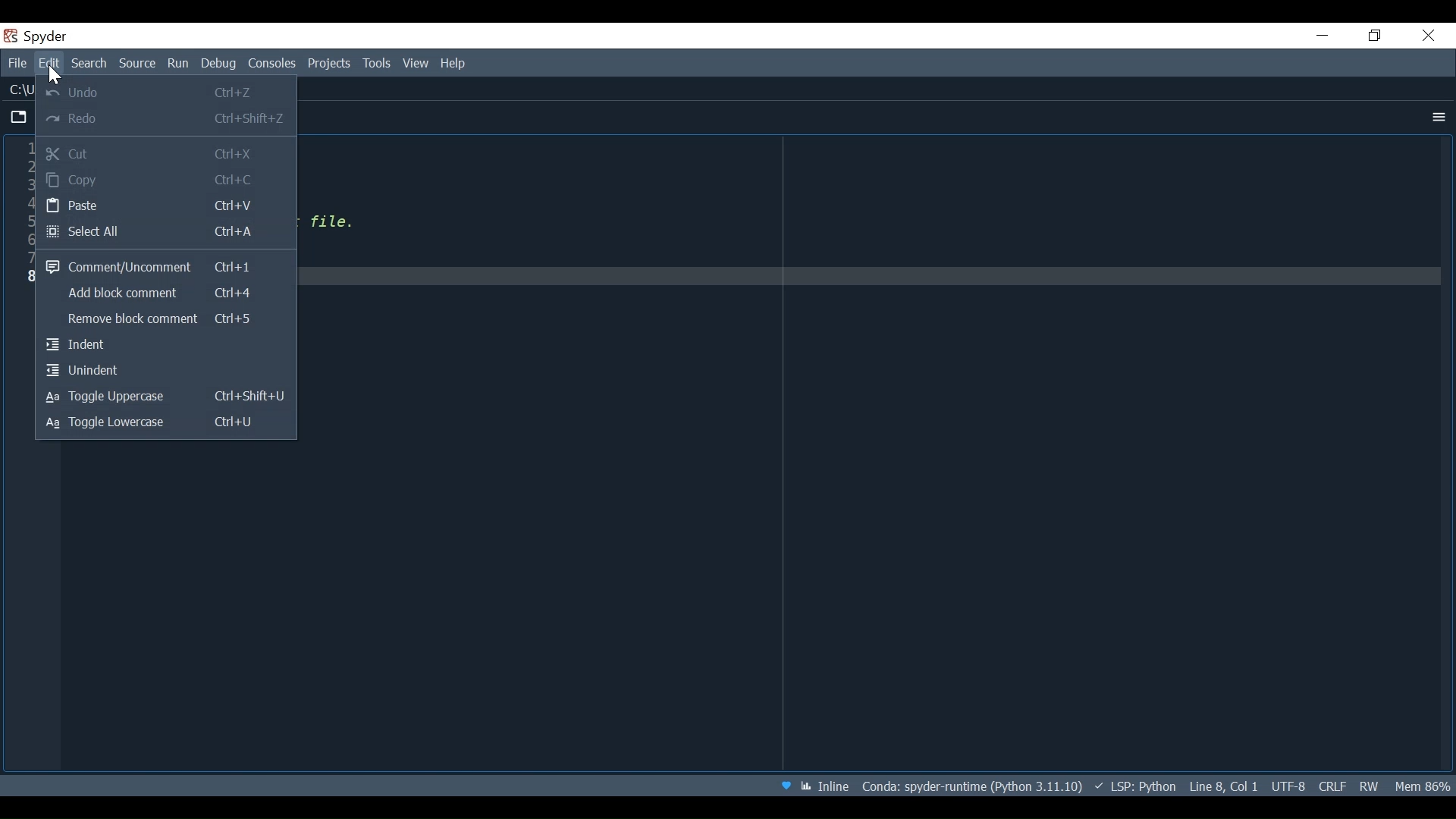  What do you see at coordinates (1430, 36) in the screenshot?
I see `Close` at bounding box center [1430, 36].